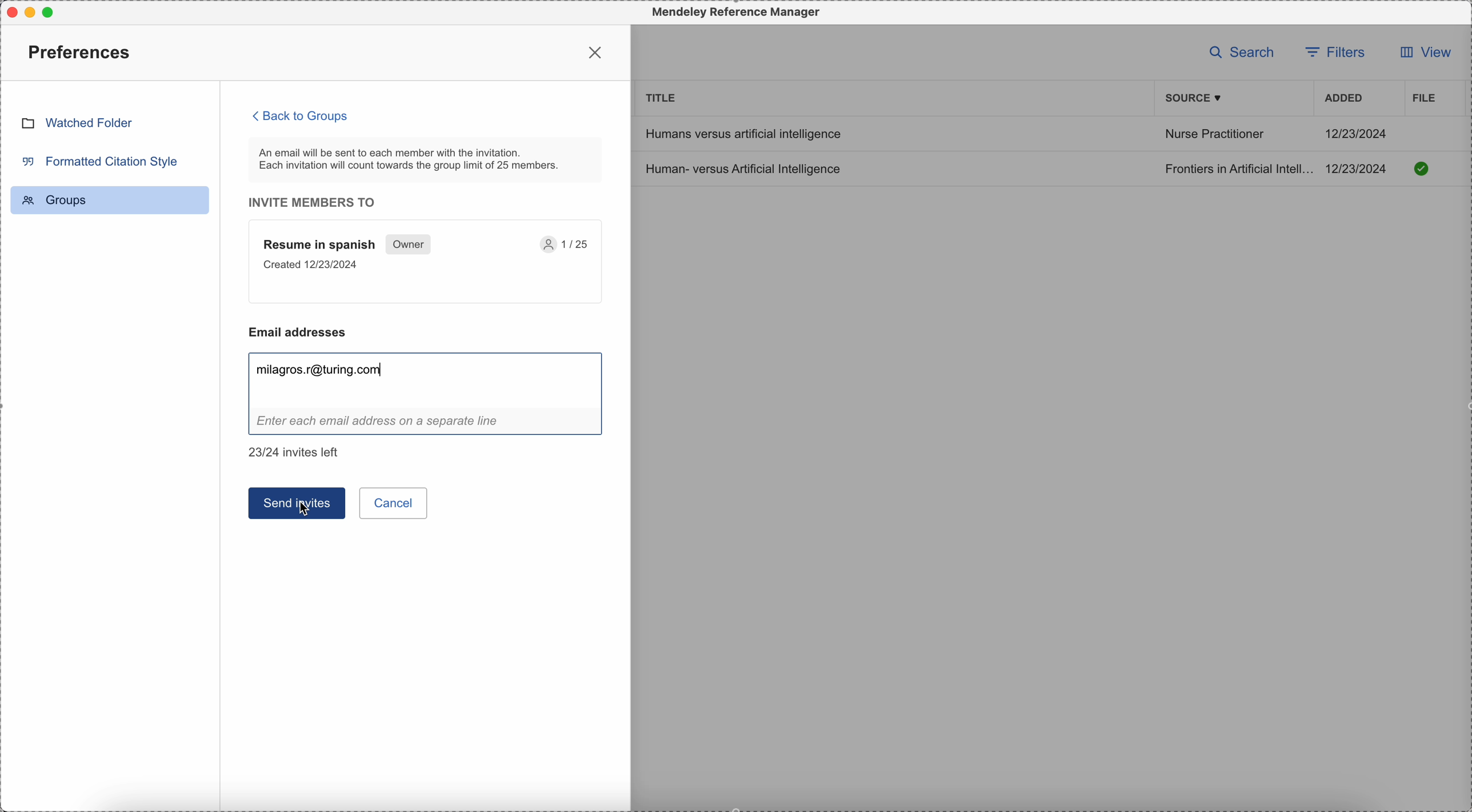 Image resolution: width=1472 pixels, height=812 pixels. Describe the element at coordinates (662, 97) in the screenshot. I see `title` at that location.